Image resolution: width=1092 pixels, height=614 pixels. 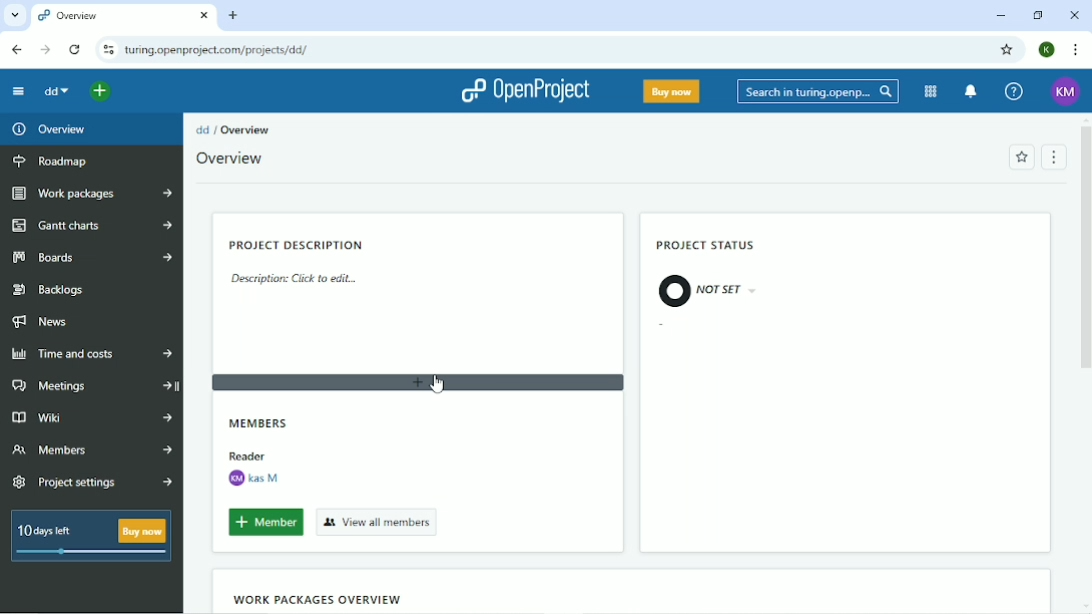 I want to click on Overview, so click(x=229, y=157).